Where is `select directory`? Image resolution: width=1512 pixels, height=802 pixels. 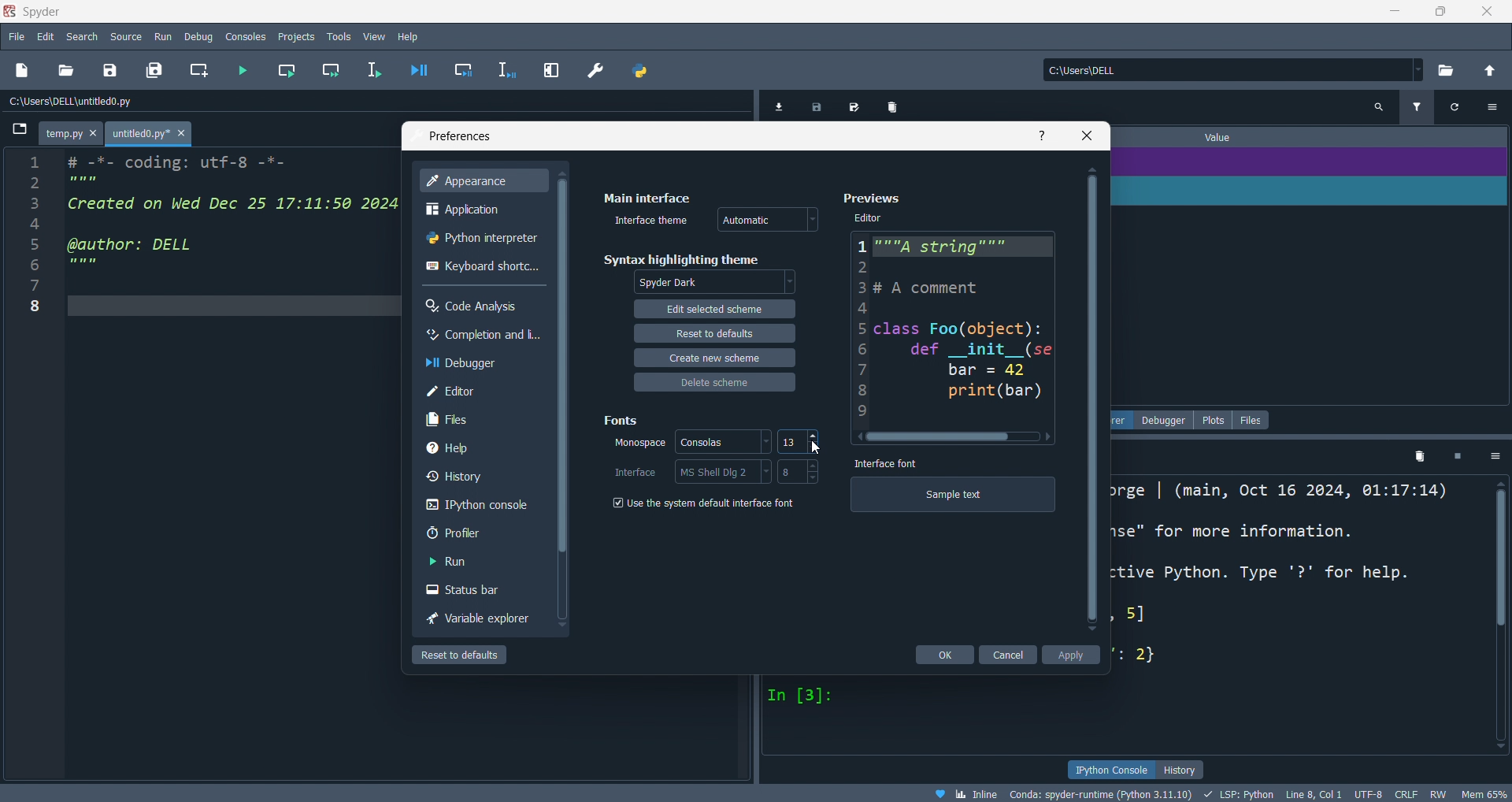 select directory is located at coordinates (1446, 70).